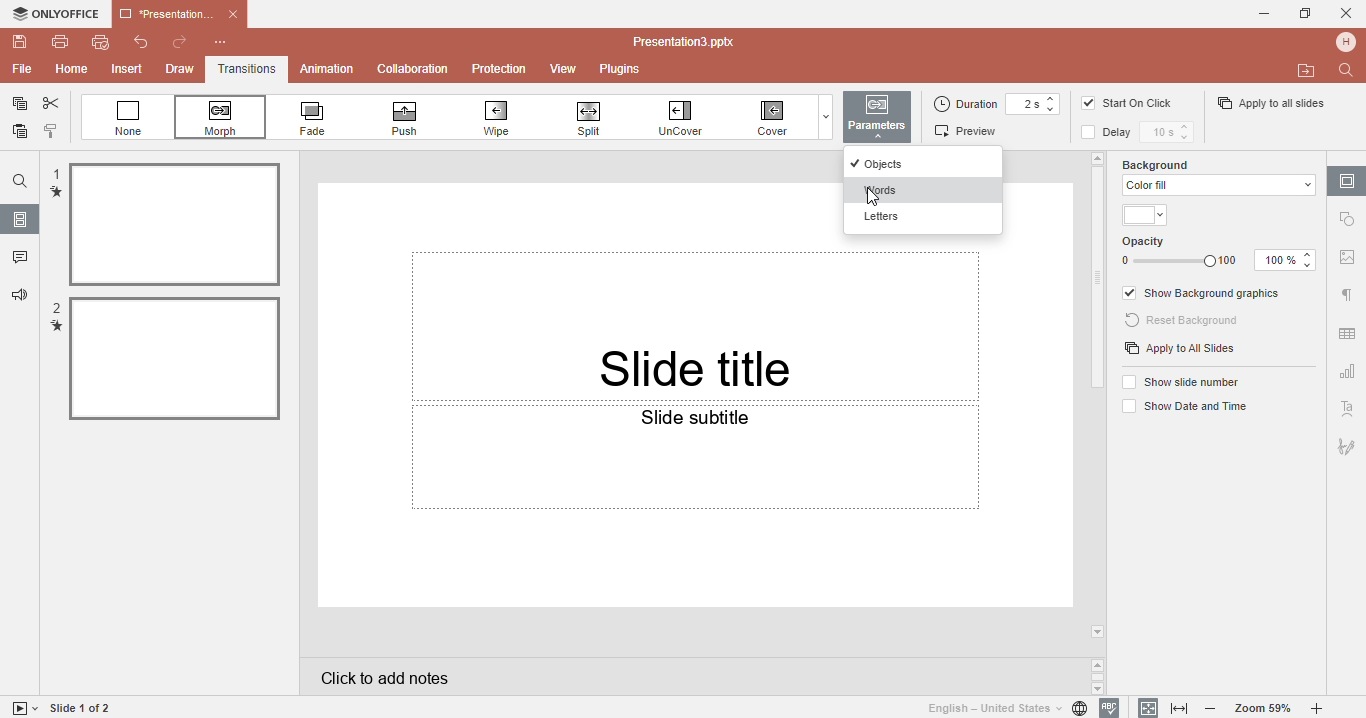 The width and height of the screenshot is (1366, 718). What do you see at coordinates (775, 118) in the screenshot?
I see `Cover` at bounding box center [775, 118].